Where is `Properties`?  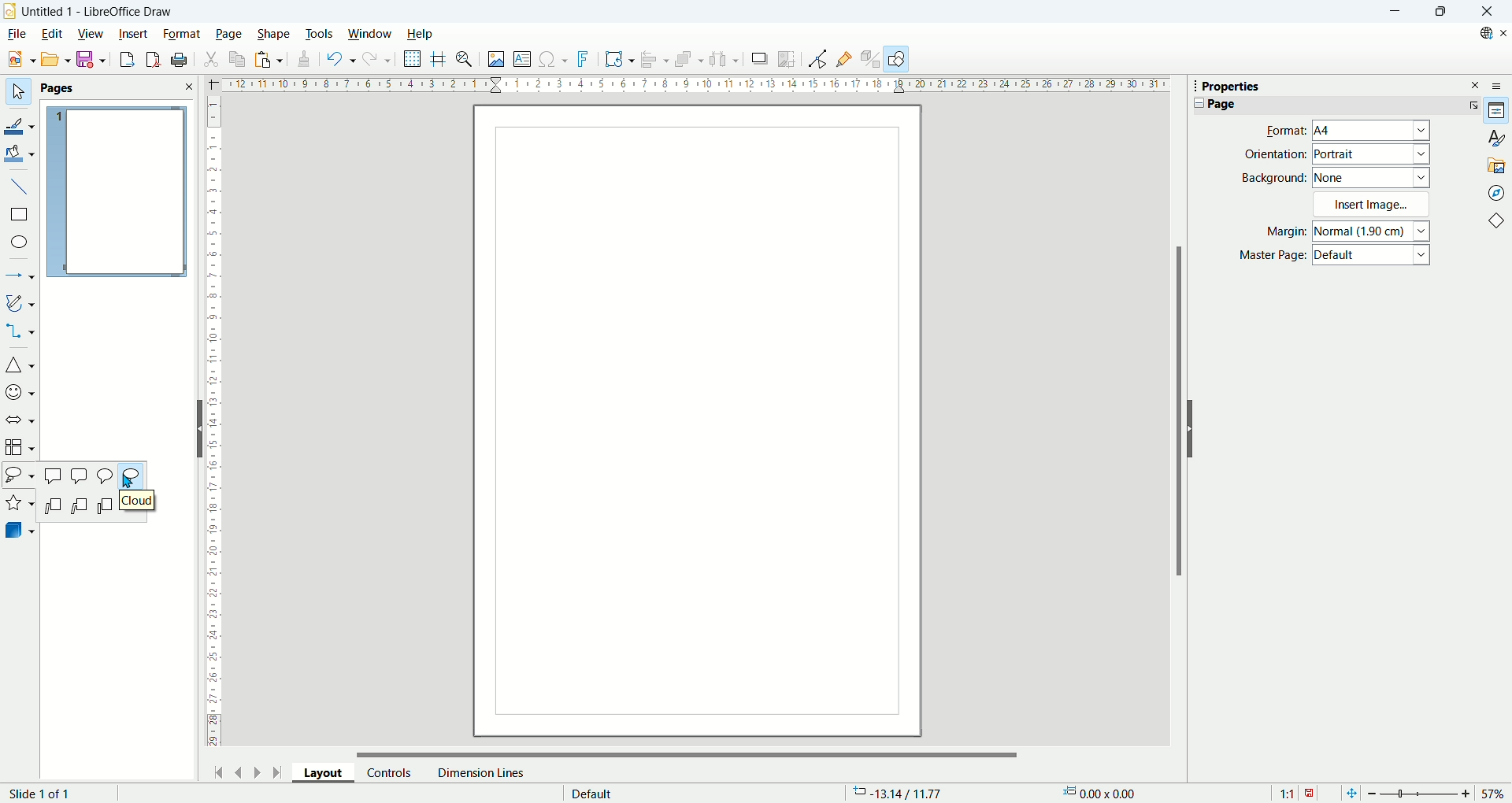 Properties is located at coordinates (1231, 87).